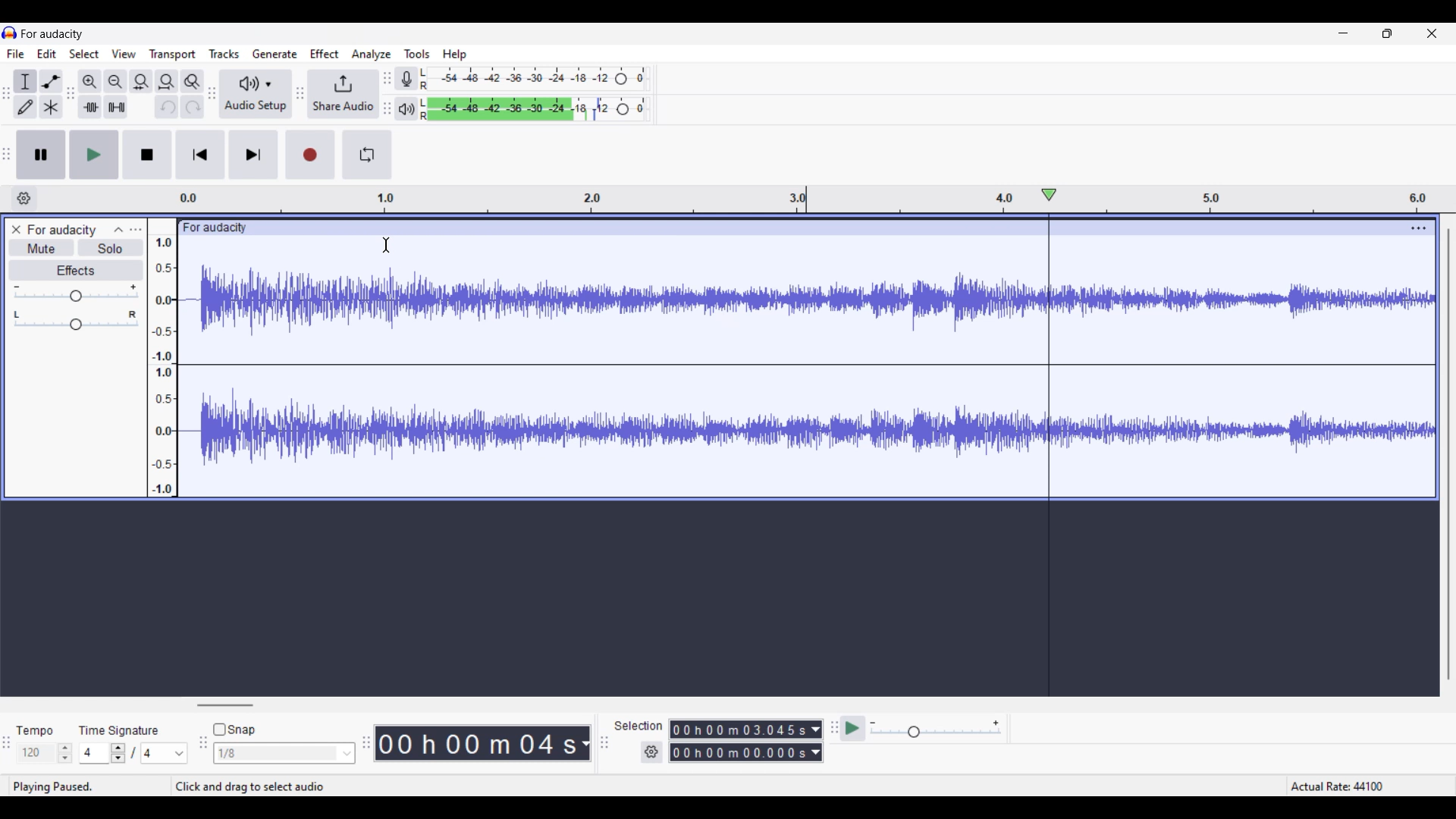  I want to click on Multi-tool, so click(50, 107).